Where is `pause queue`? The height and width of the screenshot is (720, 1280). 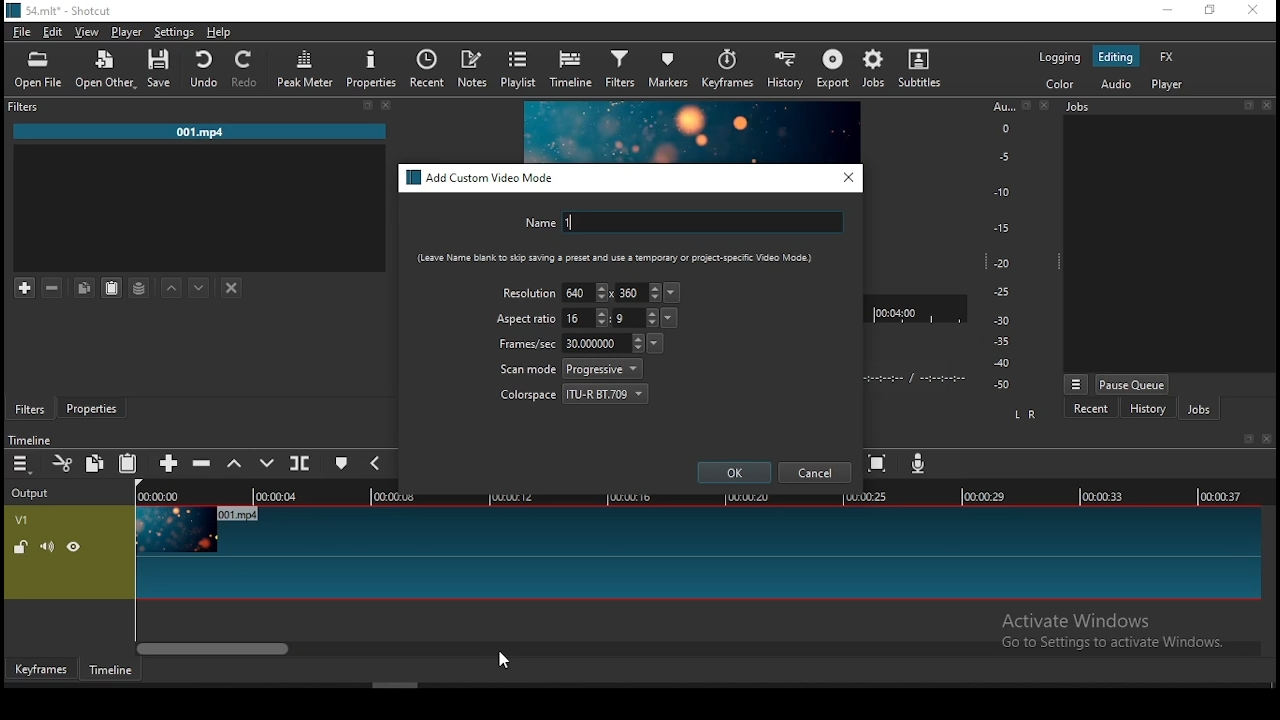
pause queue is located at coordinates (1132, 384).